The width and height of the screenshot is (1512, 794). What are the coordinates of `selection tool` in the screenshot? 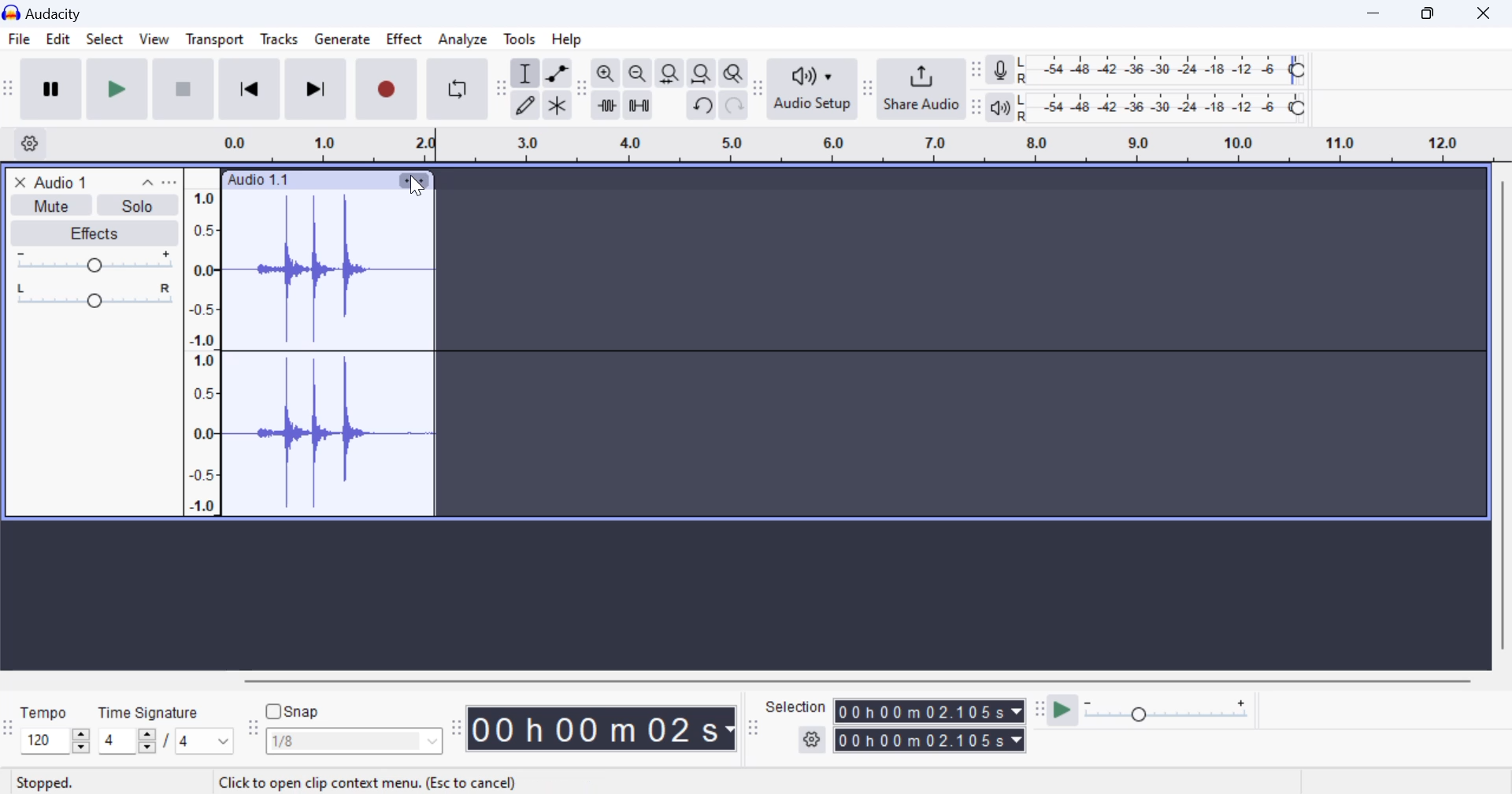 It's located at (527, 76).